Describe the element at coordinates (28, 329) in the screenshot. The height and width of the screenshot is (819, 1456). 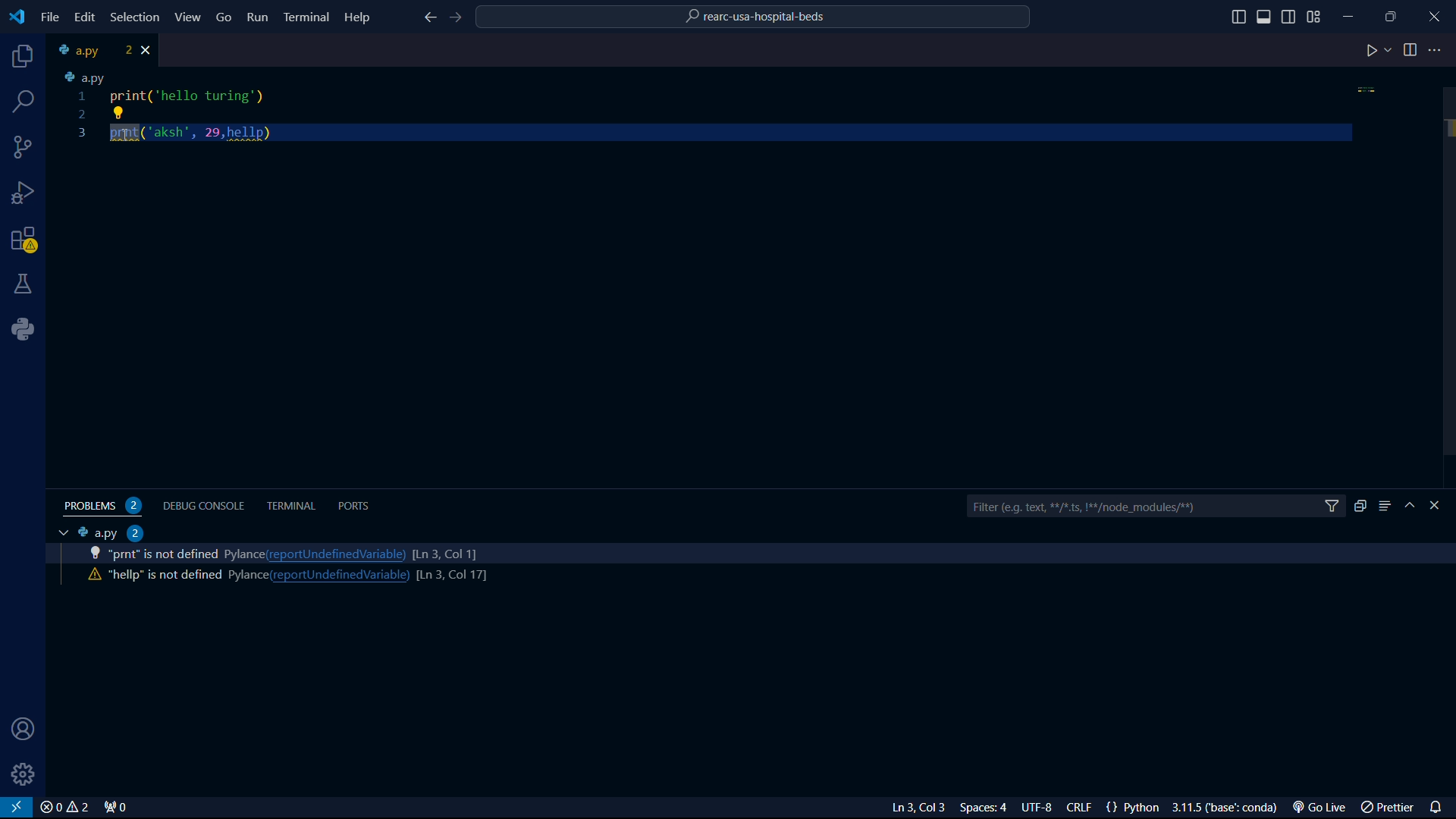
I see `python` at that location.